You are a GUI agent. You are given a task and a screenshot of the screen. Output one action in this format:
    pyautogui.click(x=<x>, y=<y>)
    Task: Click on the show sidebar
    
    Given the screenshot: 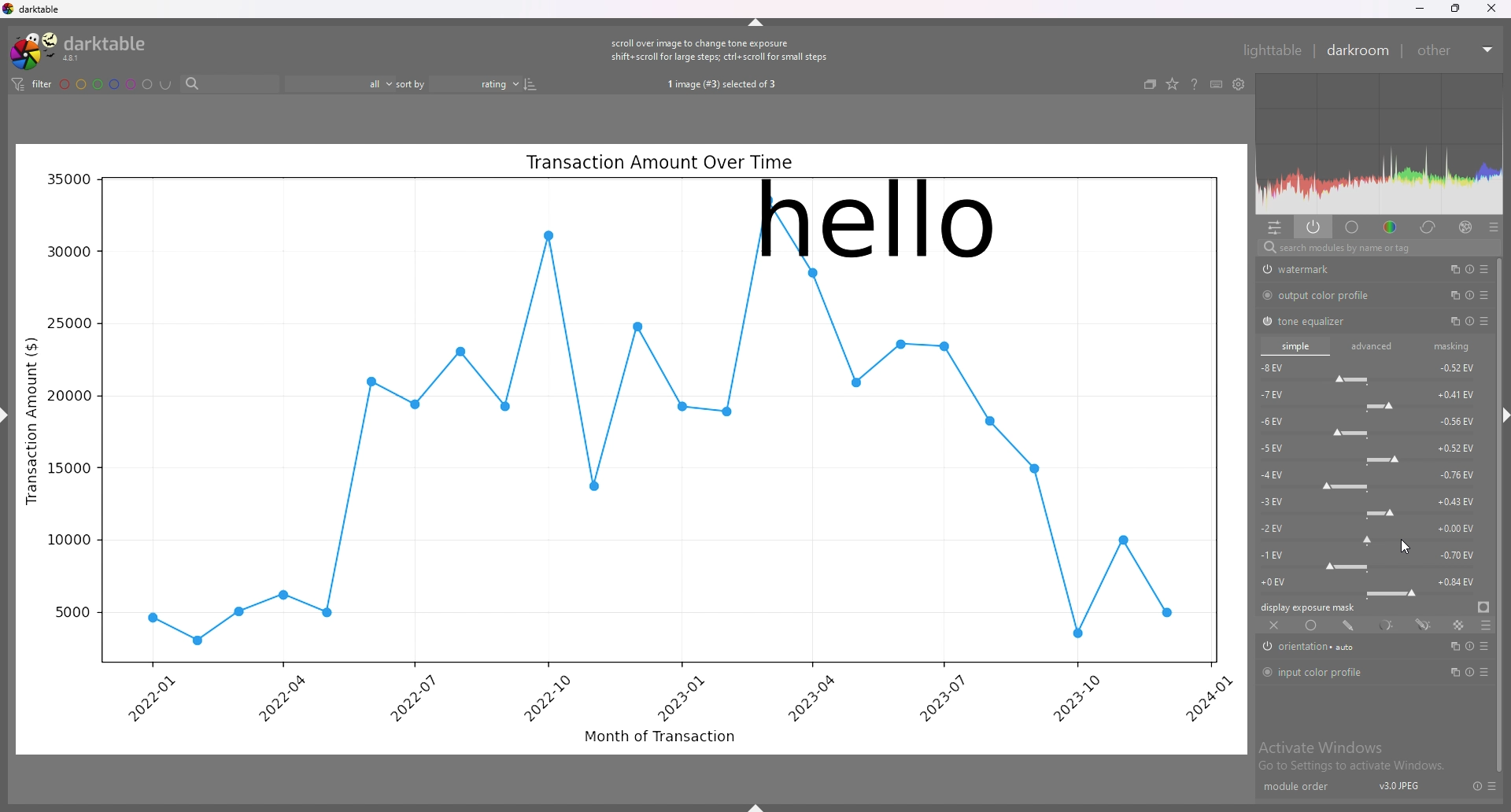 What is the action you would take?
    pyautogui.click(x=758, y=806)
    